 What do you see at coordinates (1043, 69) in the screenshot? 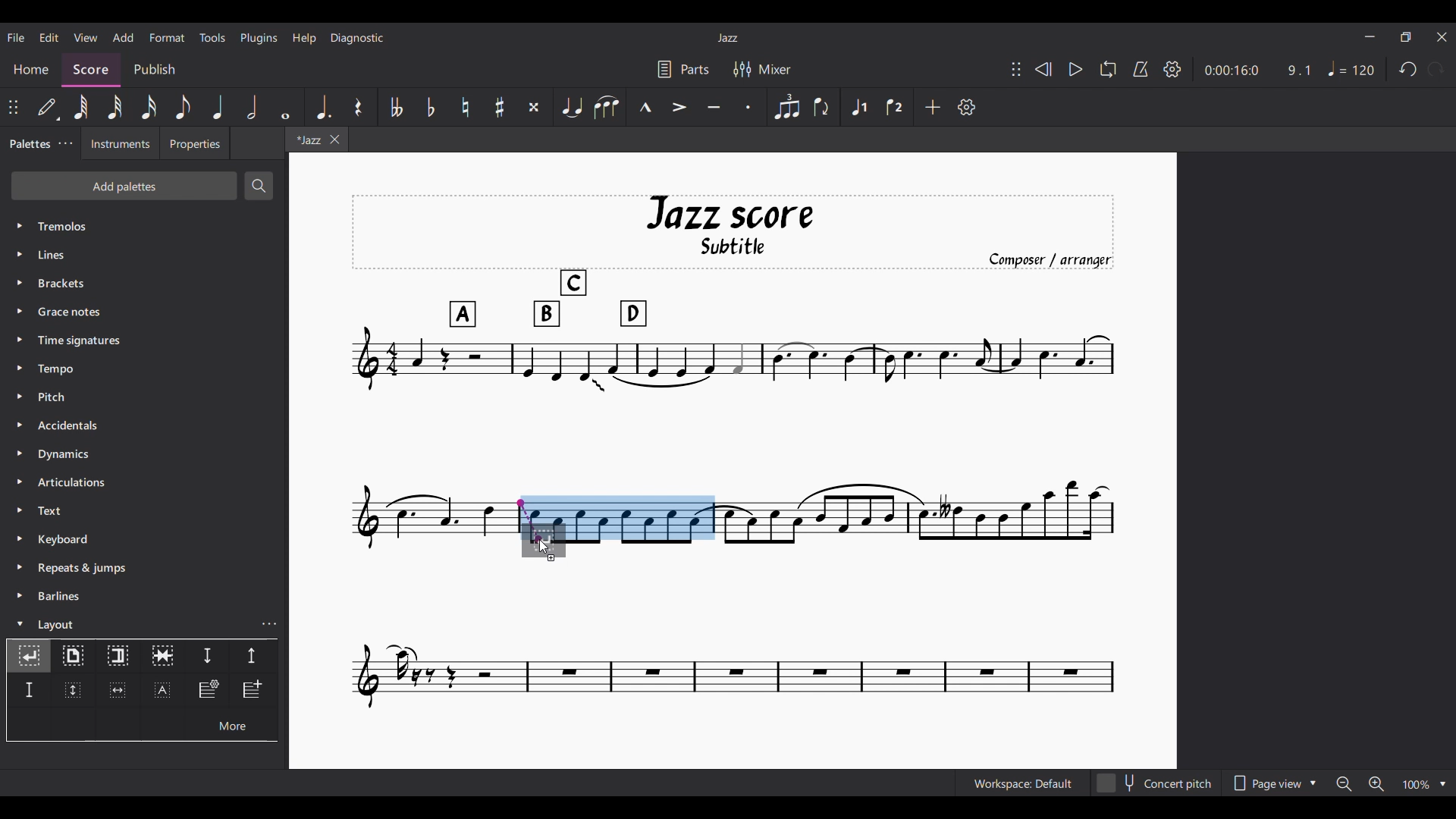
I see `Rewind` at bounding box center [1043, 69].